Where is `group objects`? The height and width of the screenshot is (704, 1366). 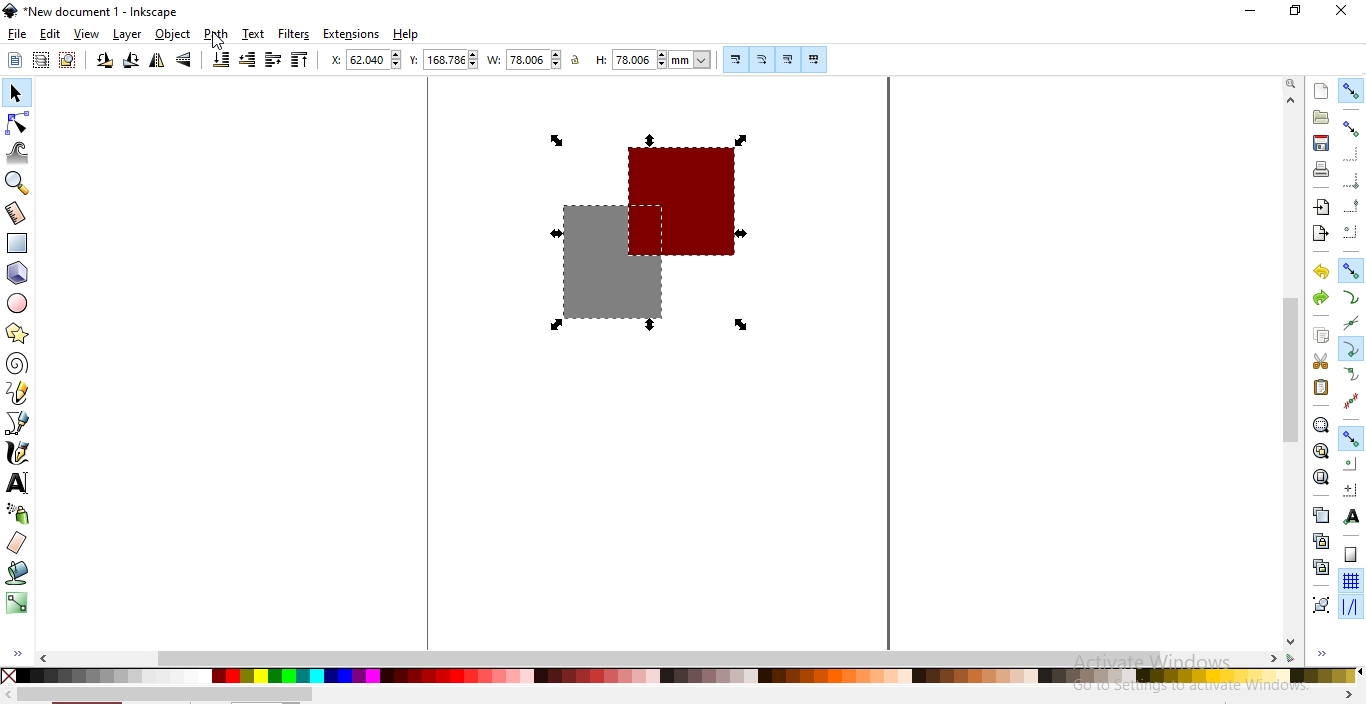
group objects is located at coordinates (1320, 606).